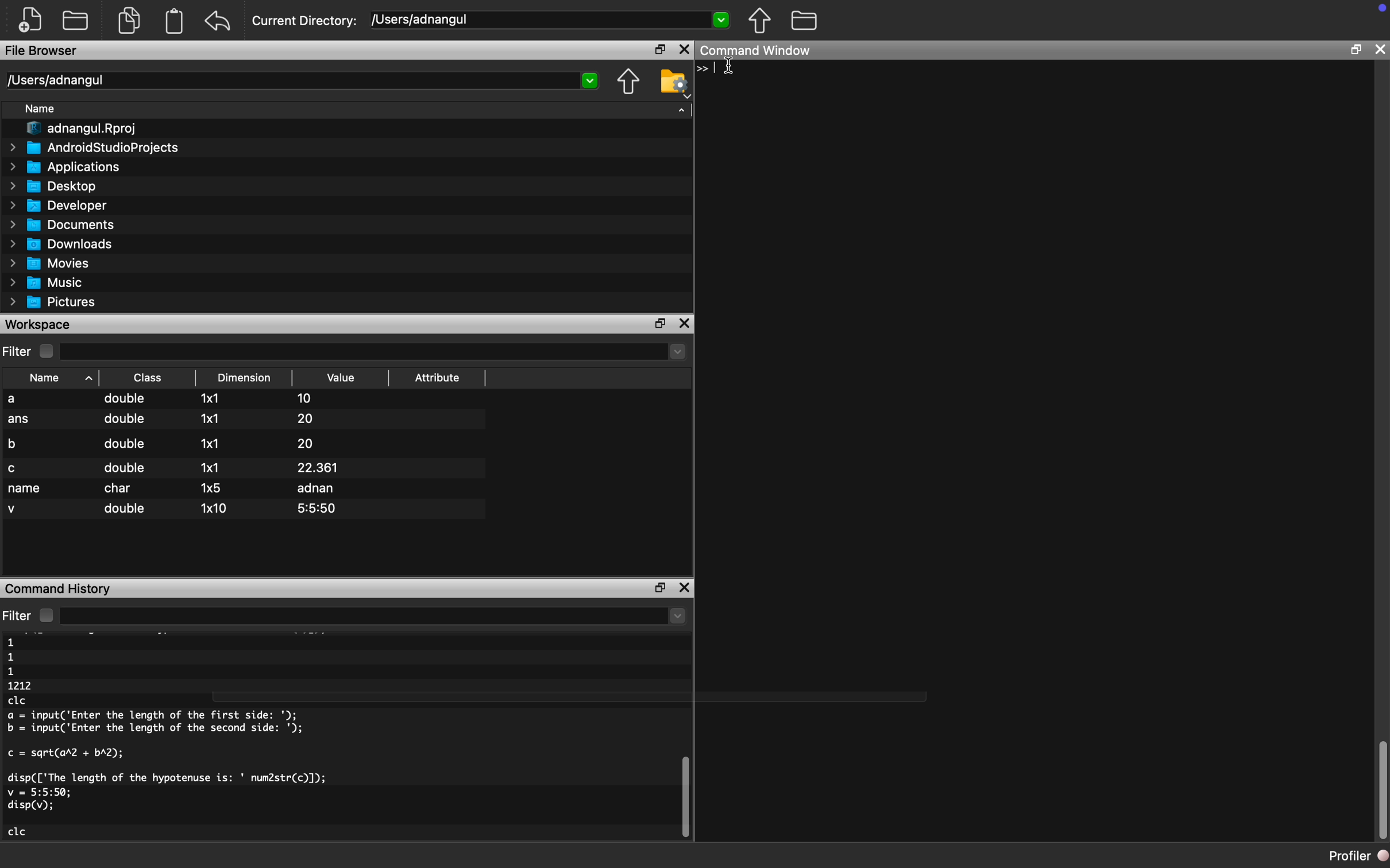 This screenshot has width=1390, height=868. Describe the element at coordinates (14, 445) in the screenshot. I see `b` at that location.